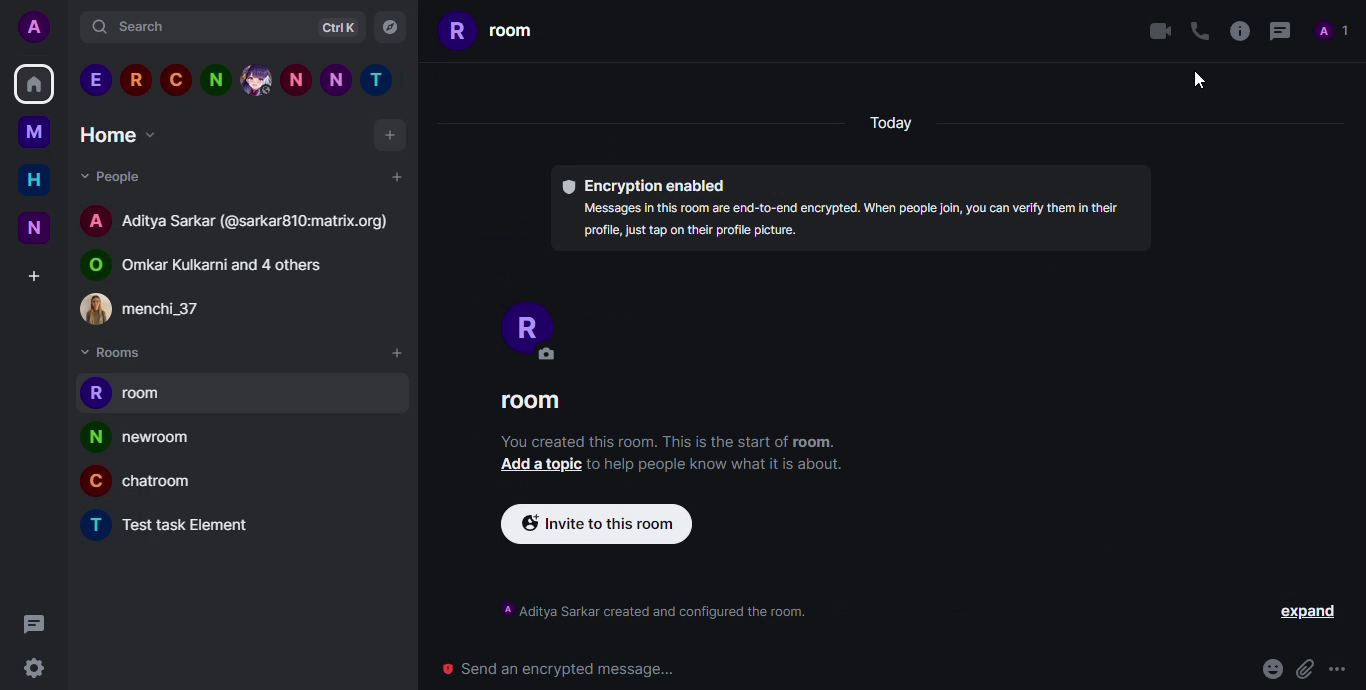  What do you see at coordinates (94, 393) in the screenshot?
I see `profile` at bounding box center [94, 393].